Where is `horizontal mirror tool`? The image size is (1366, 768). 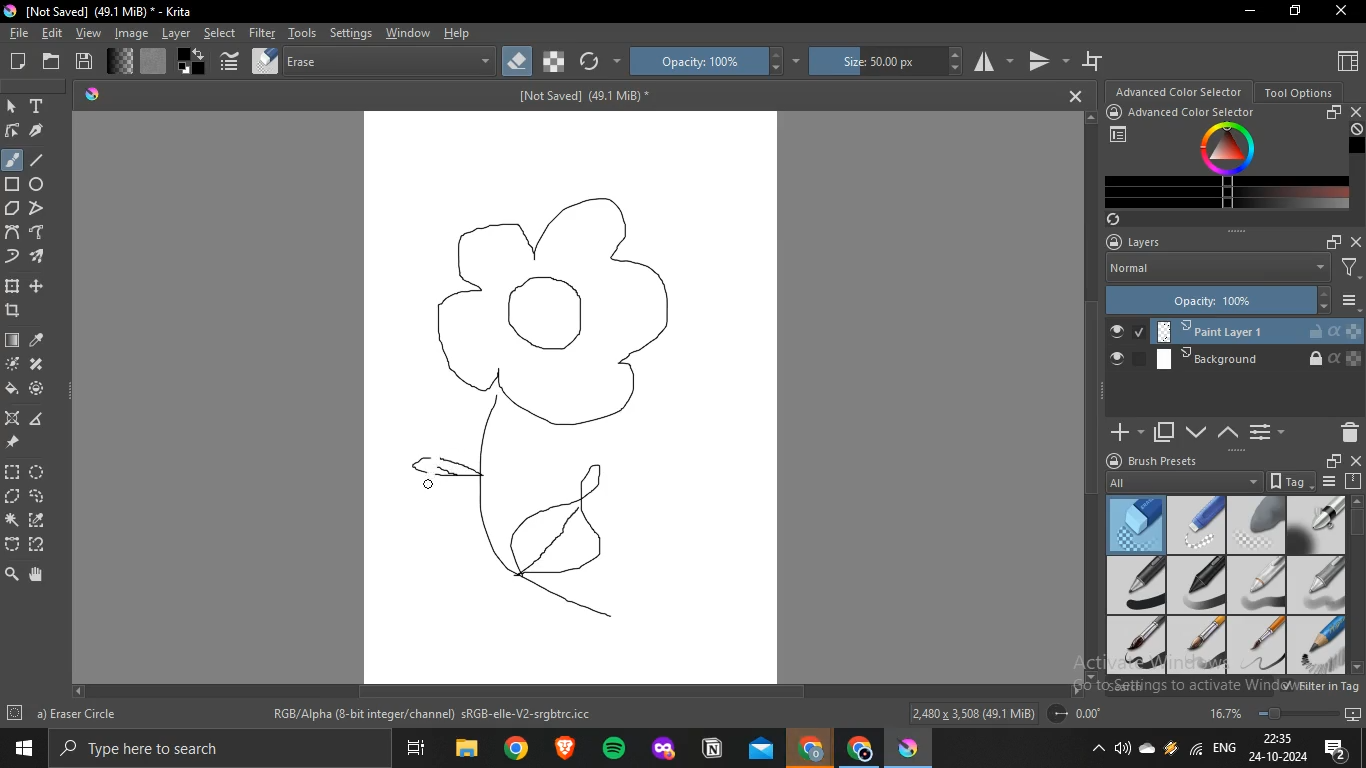
horizontal mirror tool is located at coordinates (991, 63).